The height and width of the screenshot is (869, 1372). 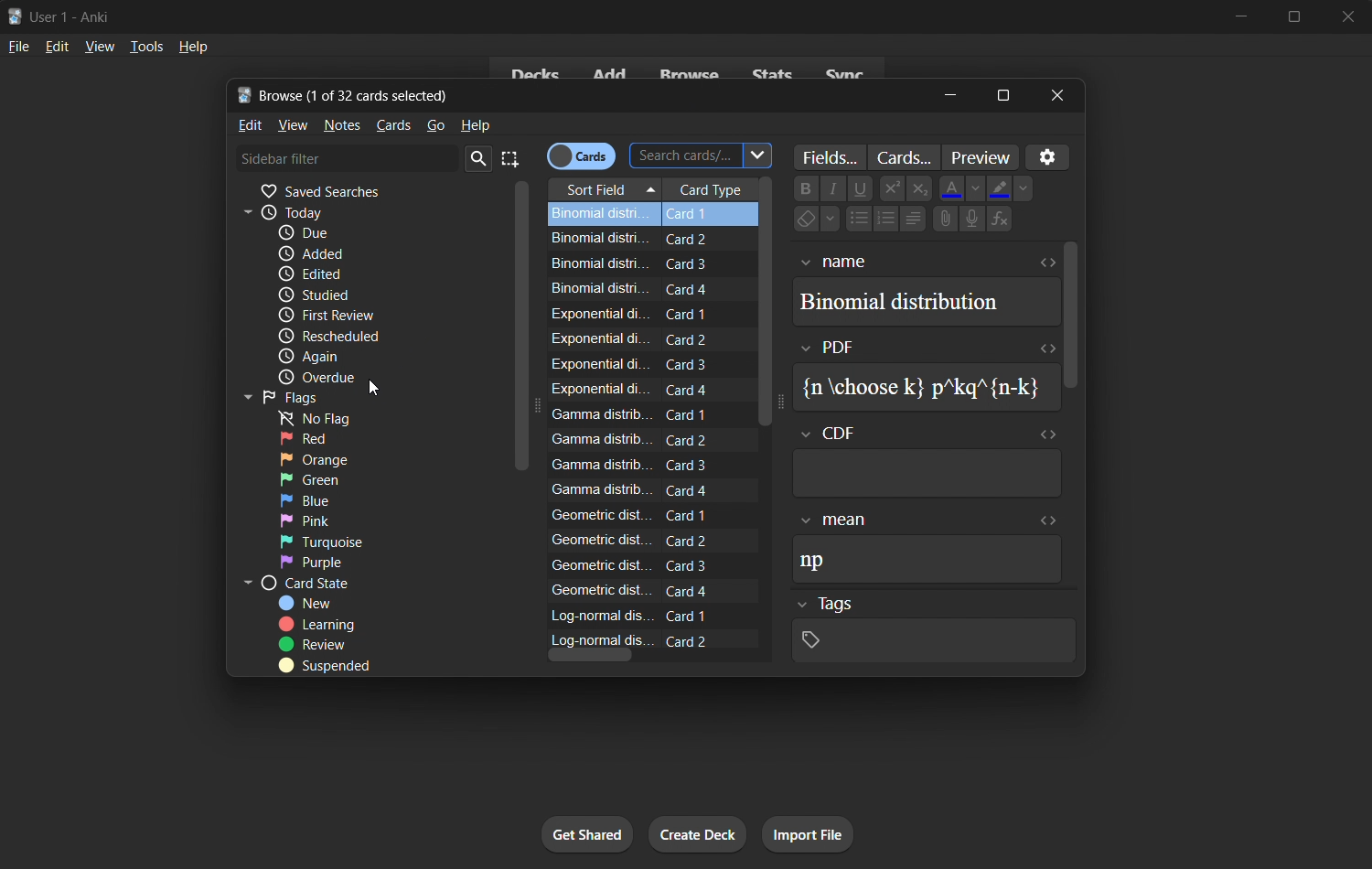 What do you see at coordinates (831, 156) in the screenshot?
I see `customize fields` at bounding box center [831, 156].